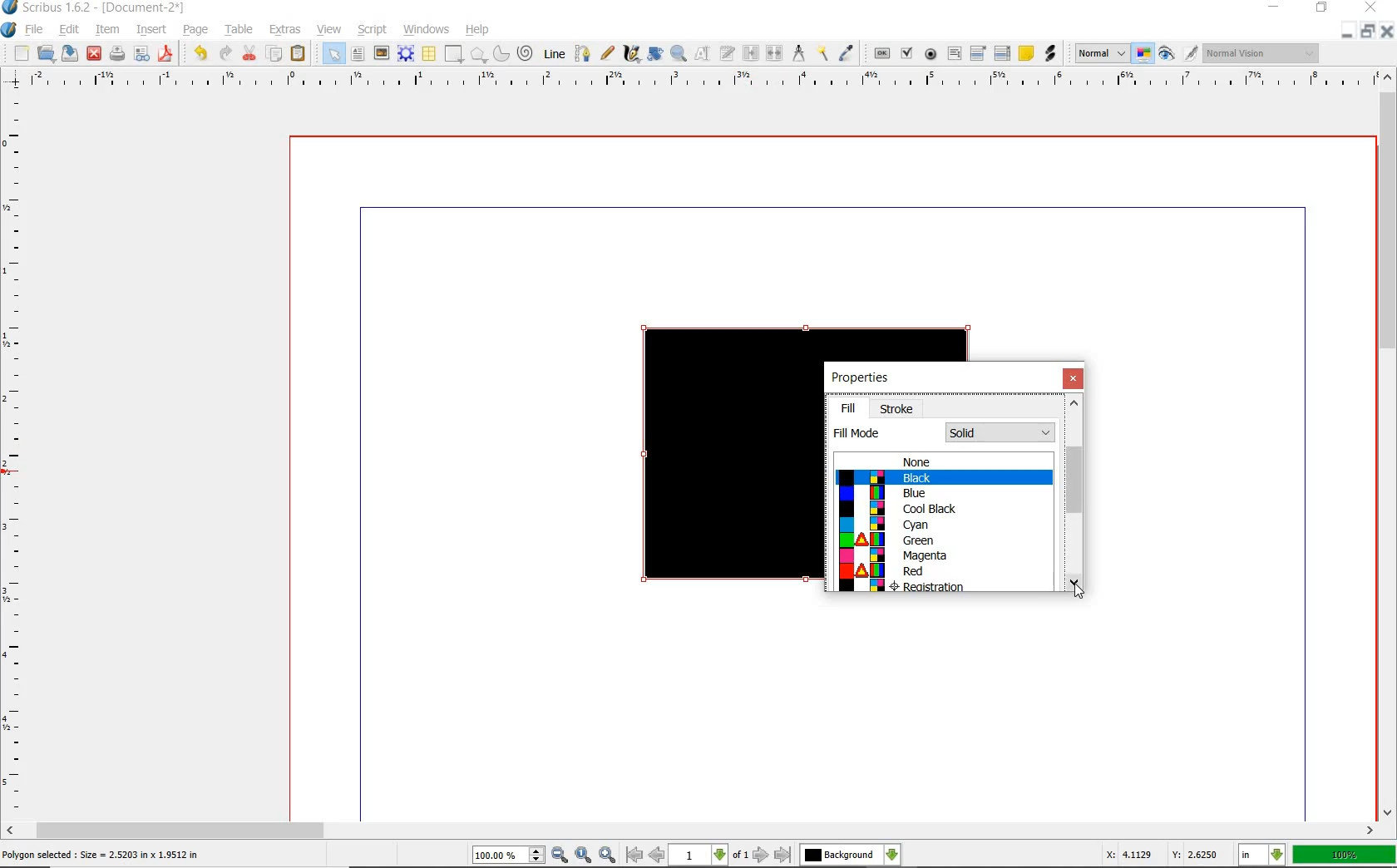 Image resolution: width=1397 pixels, height=868 pixels. What do you see at coordinates (119, 56) in the screenshot?
I see `print` at bounding box center [119, 56].